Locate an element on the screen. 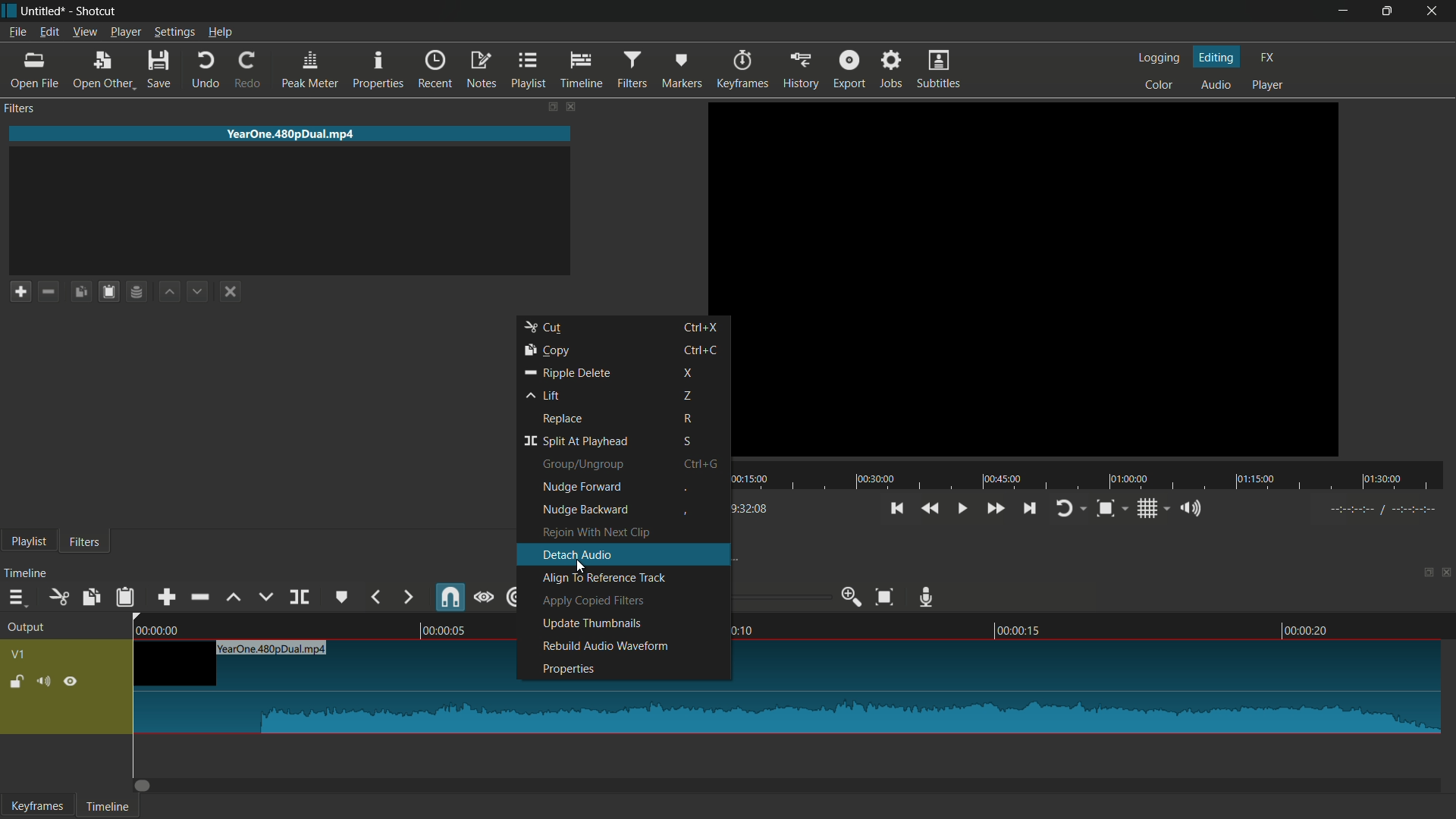 The height and width of the screenshot is (819, 1456). nudge backward is located at coordinates (585, 510).